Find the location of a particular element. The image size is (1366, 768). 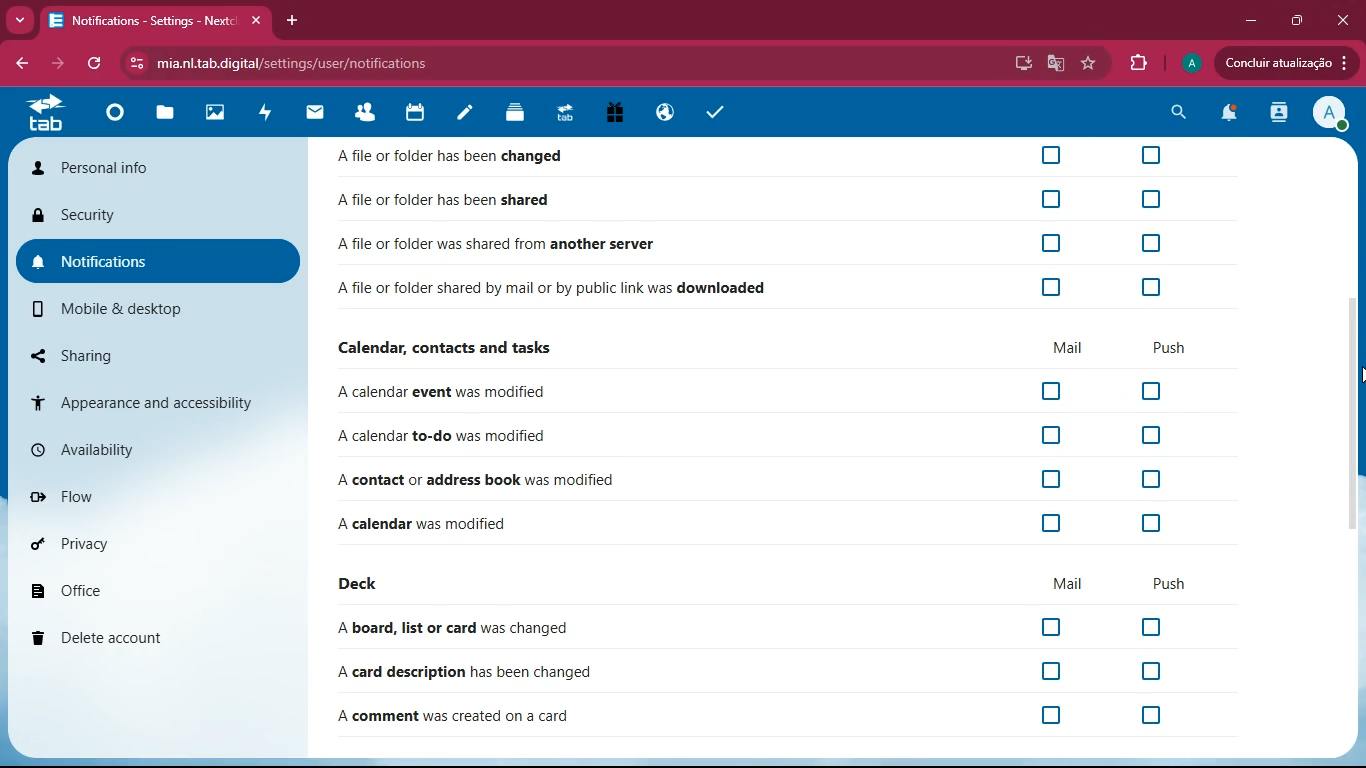

notifications is located at coordinates (1227, 116).